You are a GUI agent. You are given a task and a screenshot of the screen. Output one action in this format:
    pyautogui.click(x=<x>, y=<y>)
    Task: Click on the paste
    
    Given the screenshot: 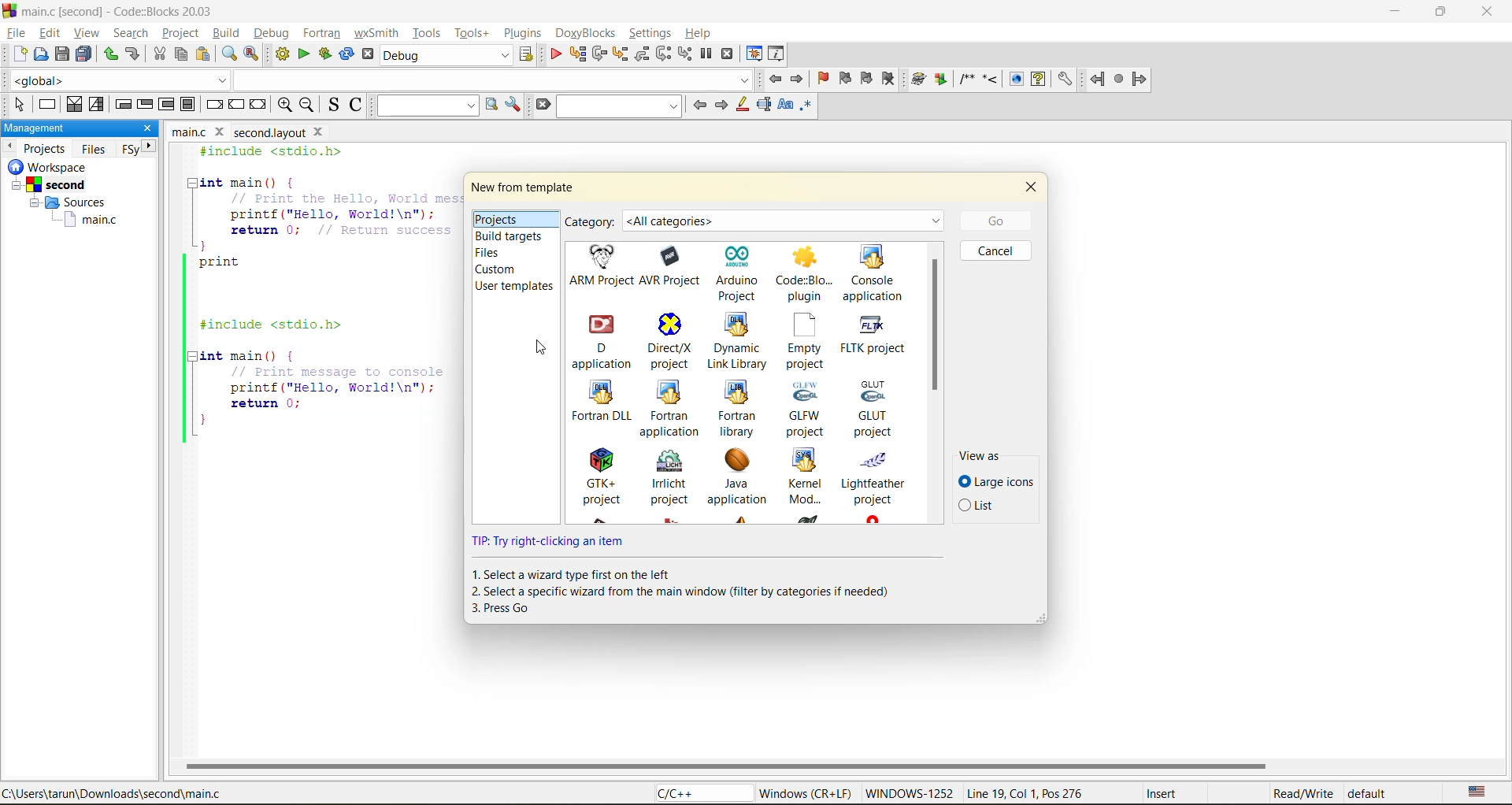 What is the action you would take?
    pyautogui.click(x=201, y=56)
    